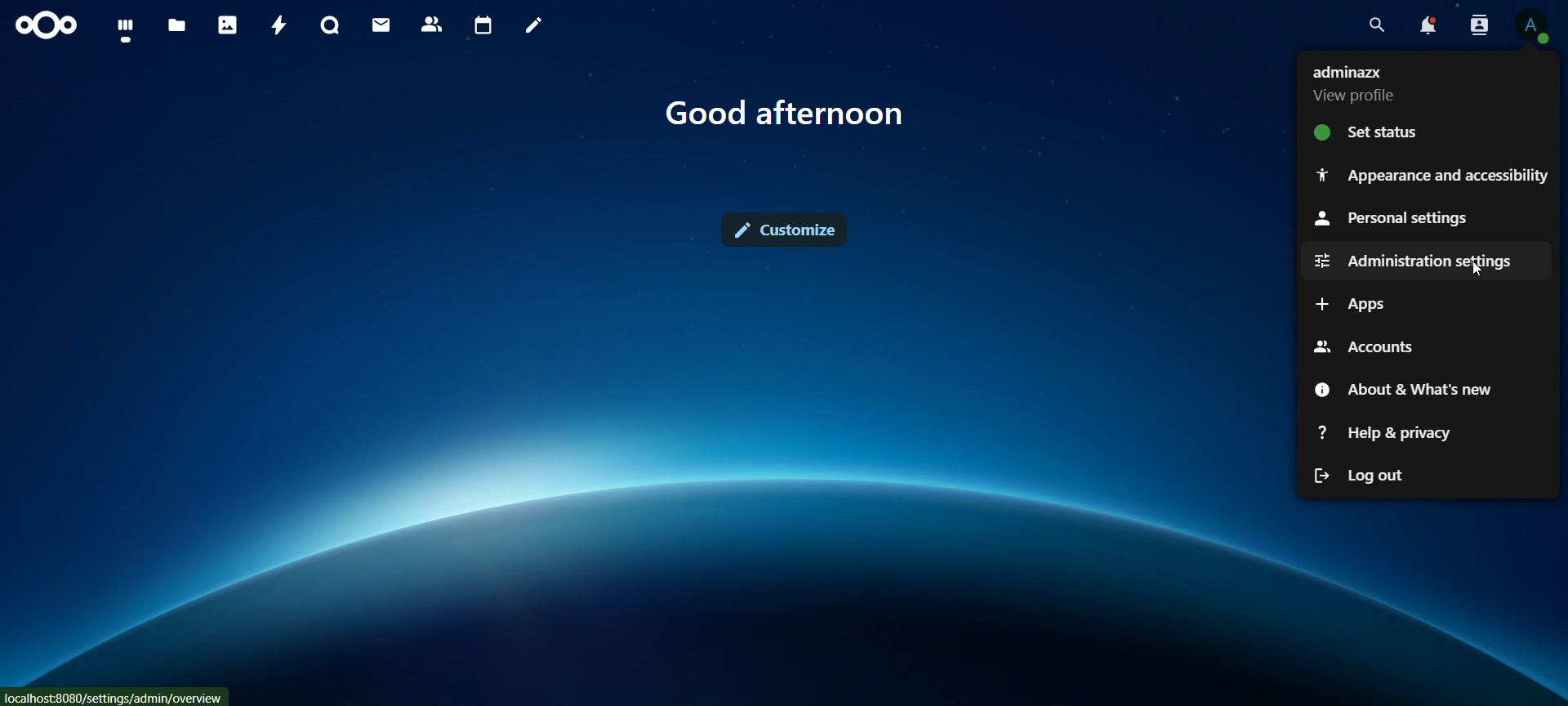 The width and height of the screenshot is (1568, 706). What do you see at coordinates (1410, 391) in the screenshot?
I see `about & what's new` at bounding box center [1410, 391].